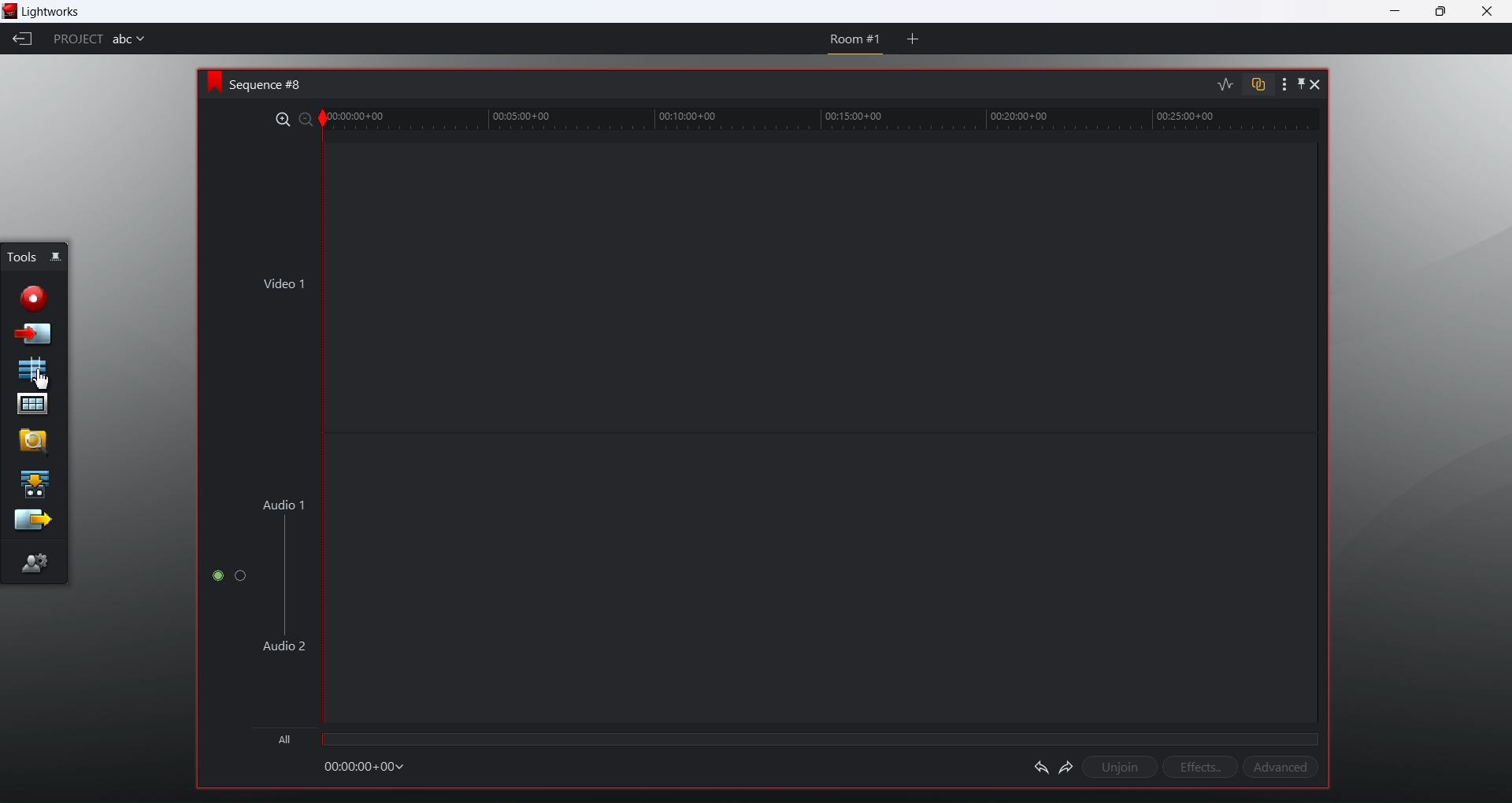 This screenshot has height=803, width=1512. What do you see at coordinates (1297, 85) in the screenshot?
I see `pin` at bounding box center [1297, 85].